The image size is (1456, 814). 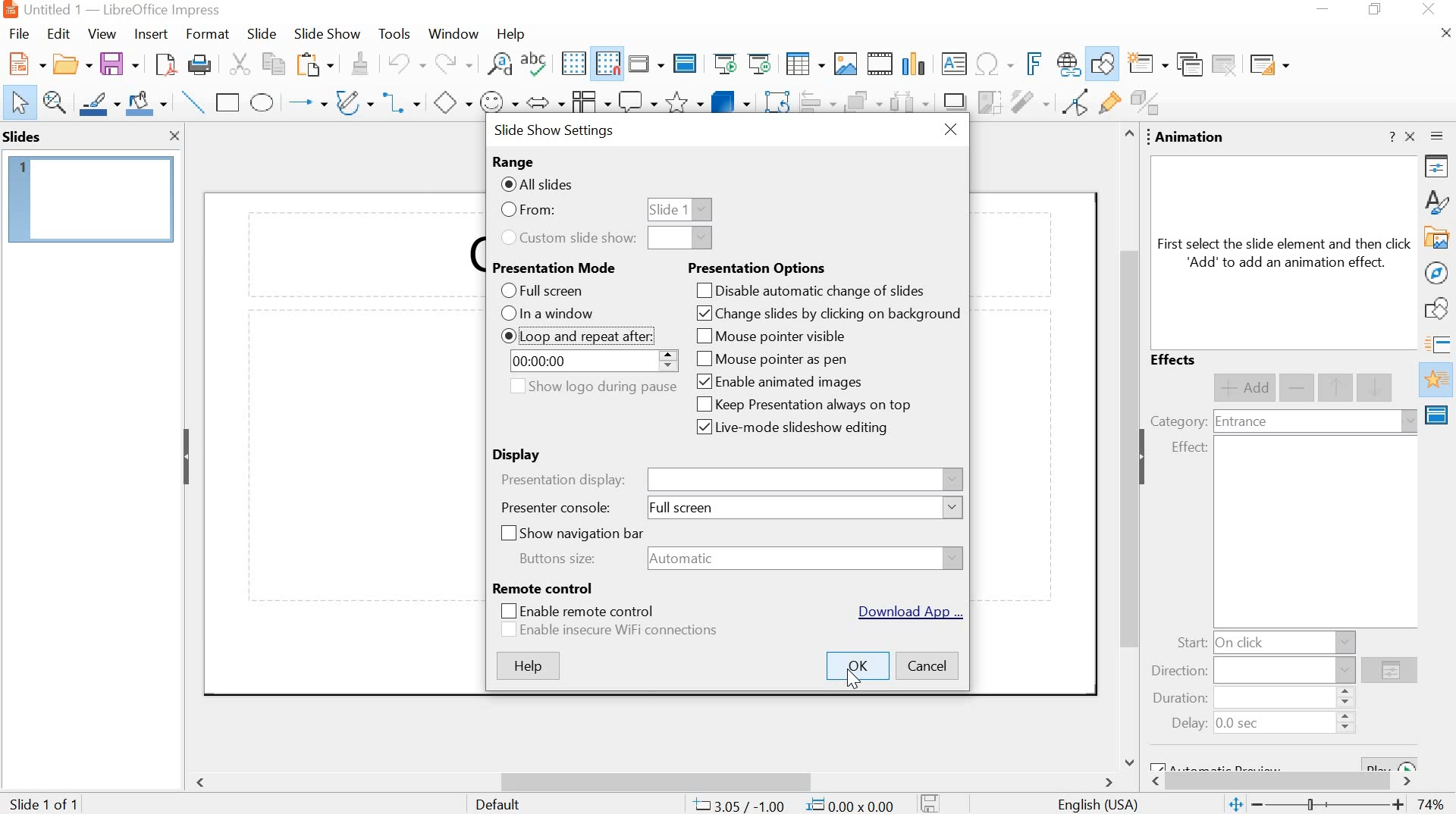 What do you see at coordinates (498, 104) in the screenshot?
I see `symbol shapes` at bounding box center [498, 104].